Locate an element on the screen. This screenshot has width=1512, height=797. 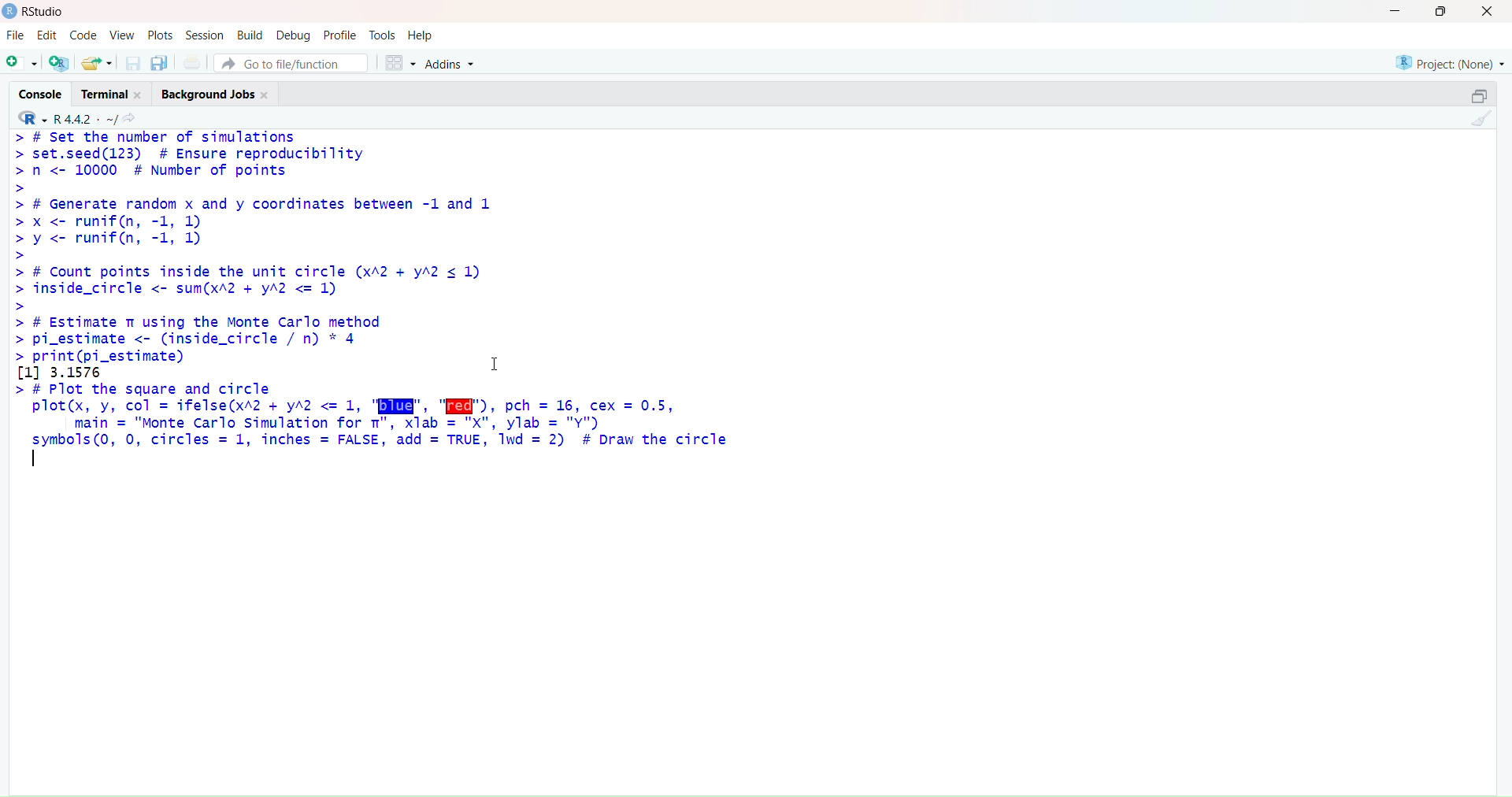
Console is located at coordinates (41, 94).